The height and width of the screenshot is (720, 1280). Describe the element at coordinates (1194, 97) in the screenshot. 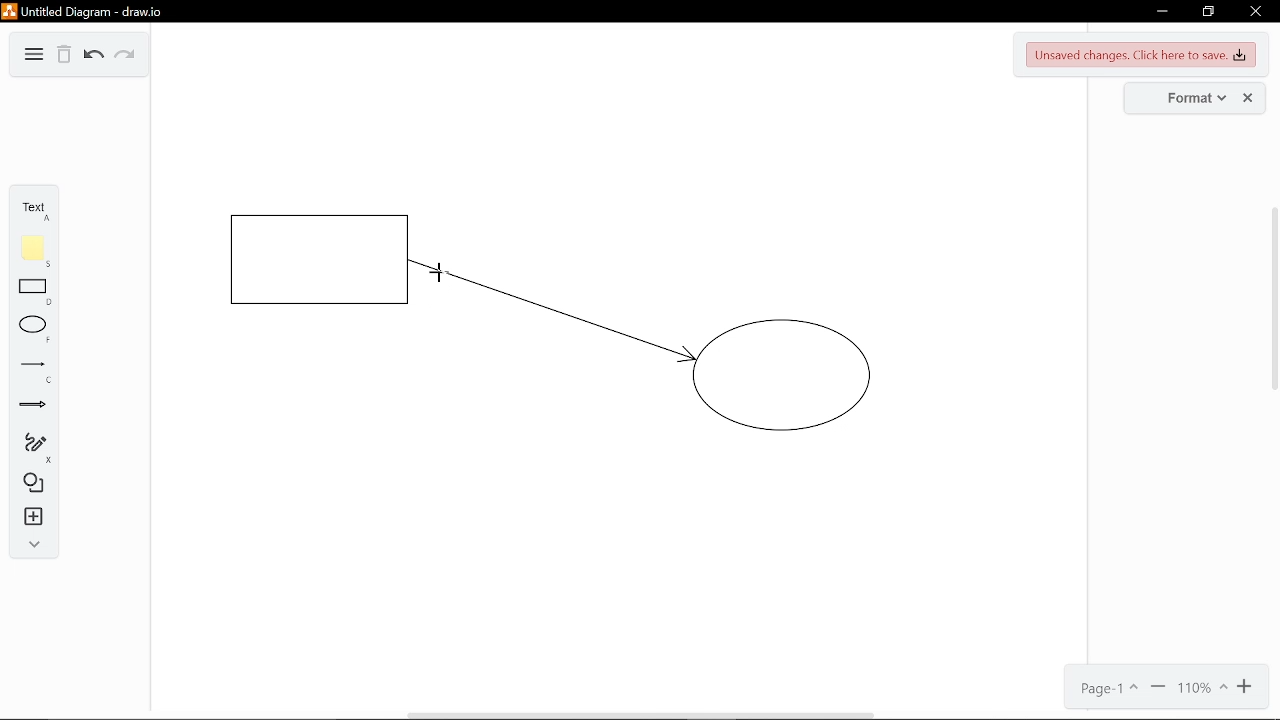

I see `Format` at that location.